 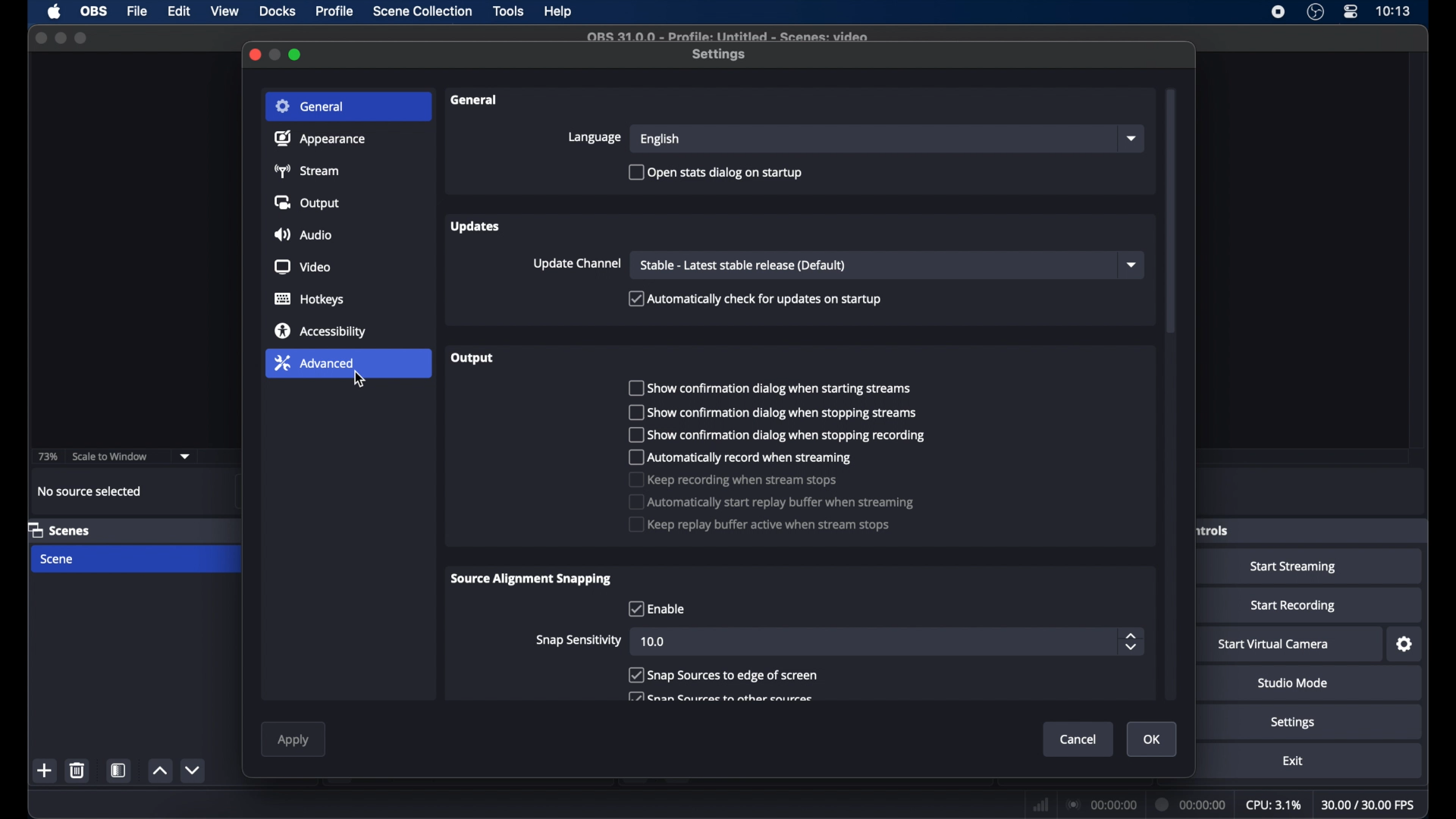 What do you see at coordinates (772, 502) in the screenshot?
I see `checkbox` at bounding box center [772, 502].